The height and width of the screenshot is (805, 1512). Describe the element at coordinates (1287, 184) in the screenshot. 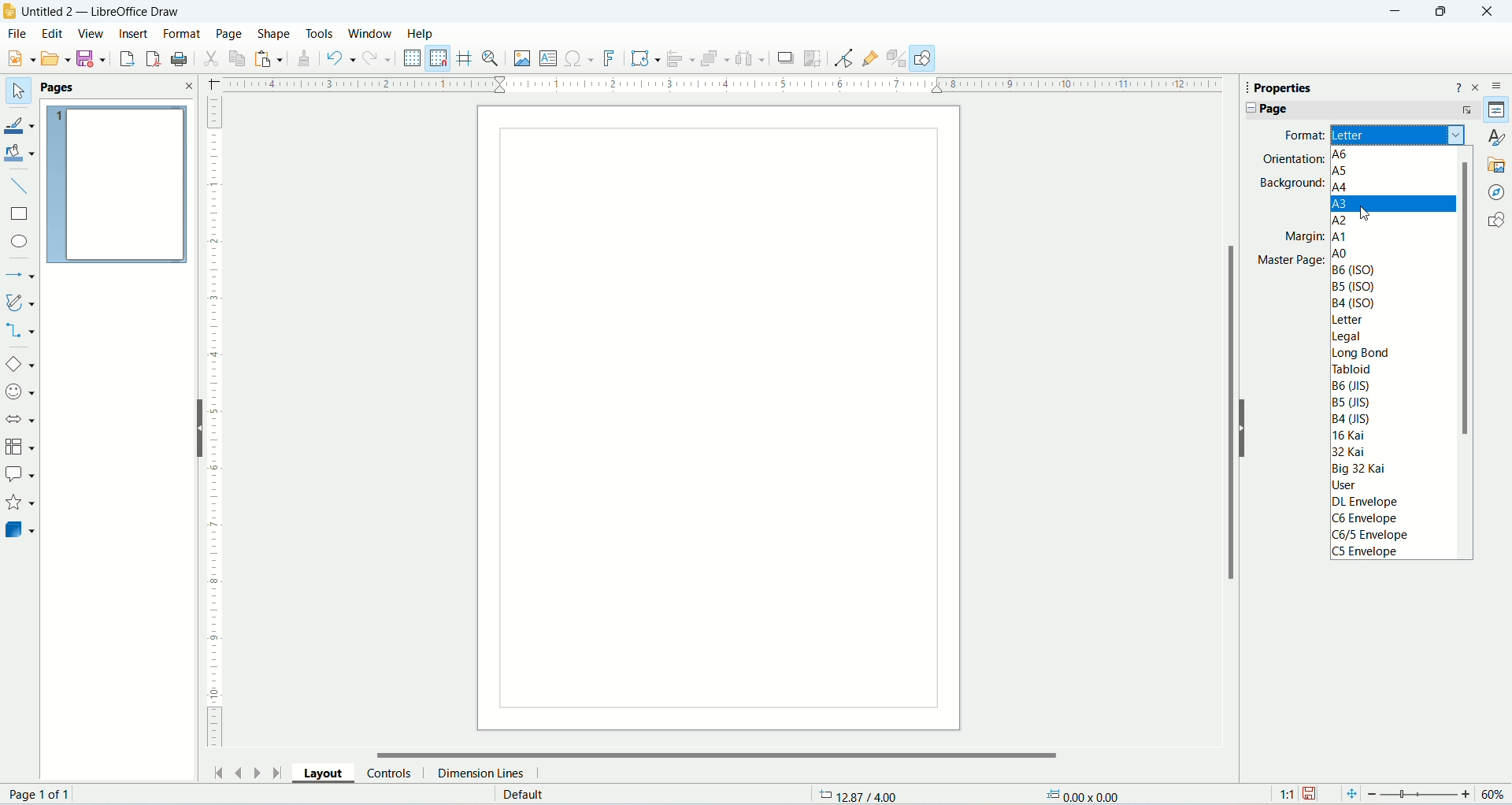

I see `Background` at that location.